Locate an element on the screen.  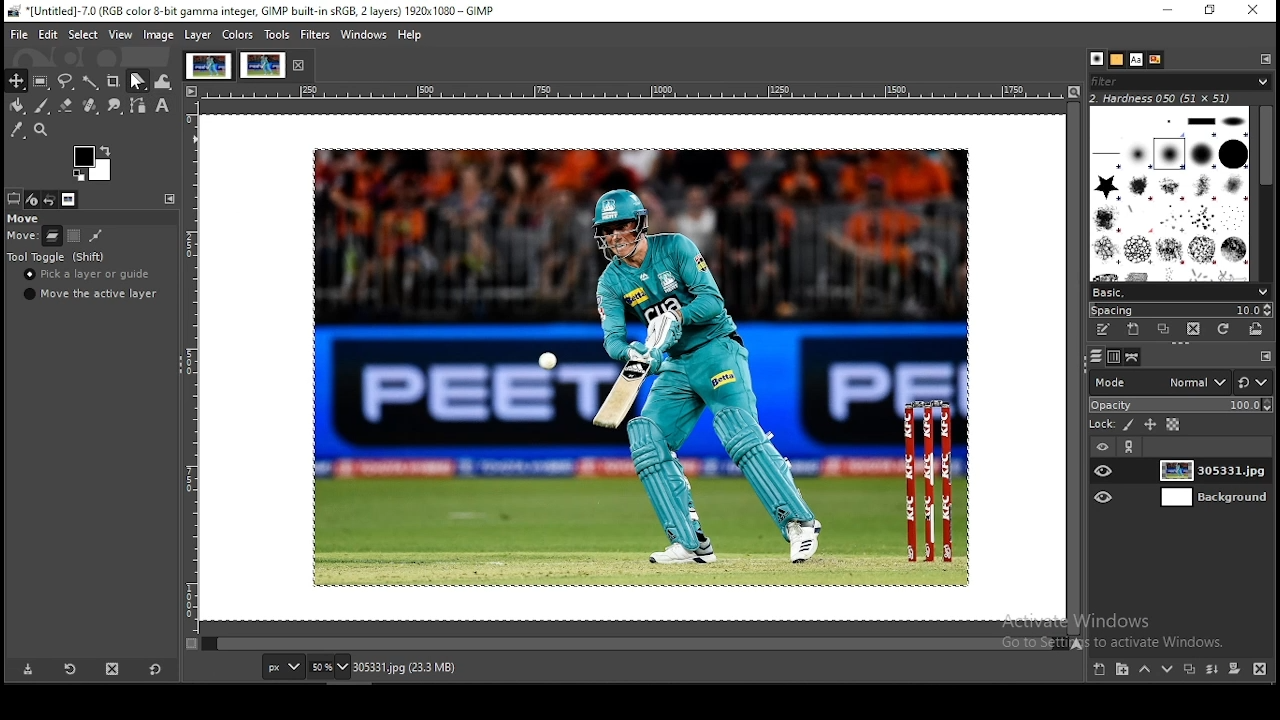
image is located at coordinates (644, 366).